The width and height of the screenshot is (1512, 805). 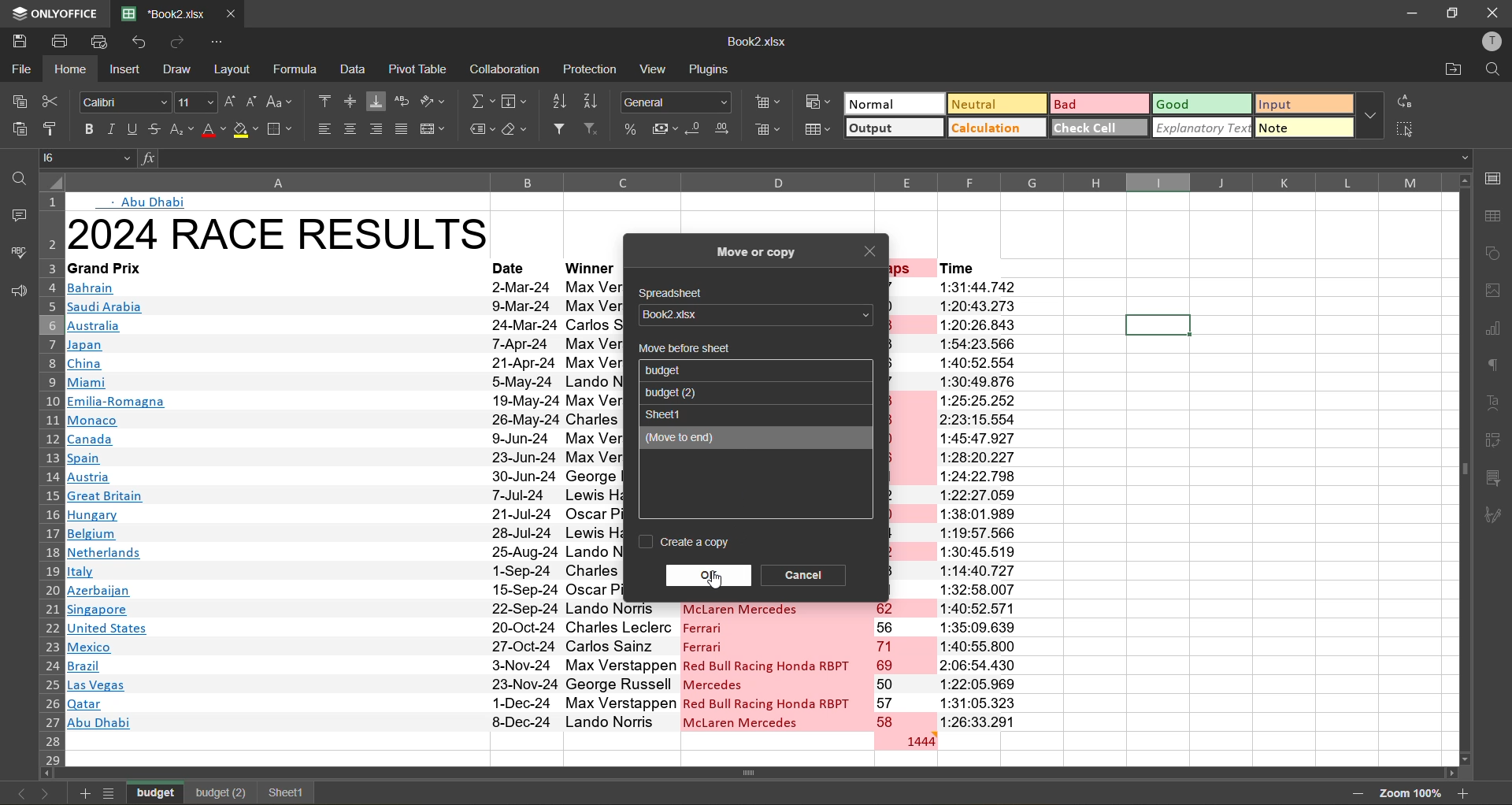 I want to click on align bottom, so click(x=376, y=100).